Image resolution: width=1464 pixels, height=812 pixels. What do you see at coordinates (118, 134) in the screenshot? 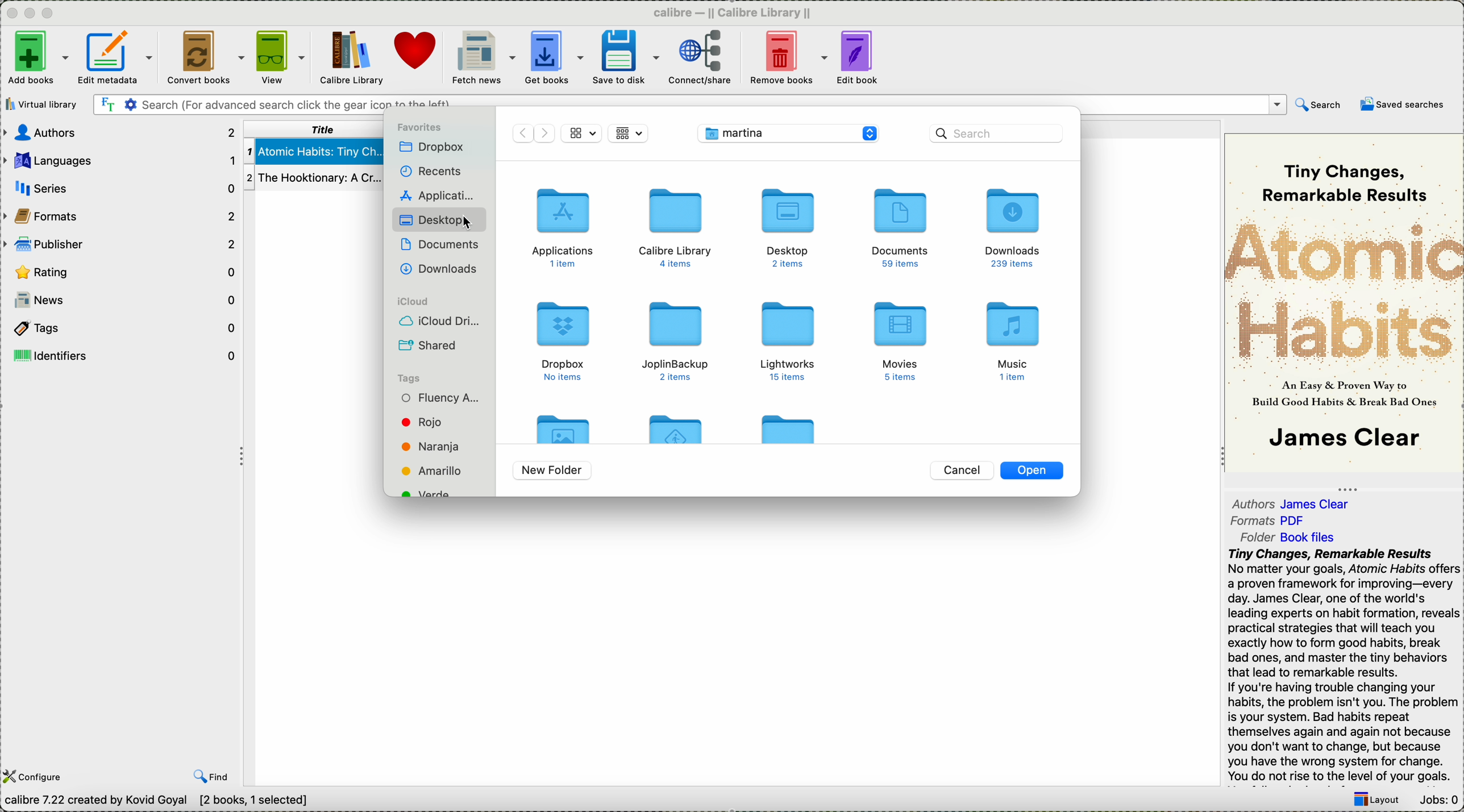
I see `authors` at bounding box center [118, 134].